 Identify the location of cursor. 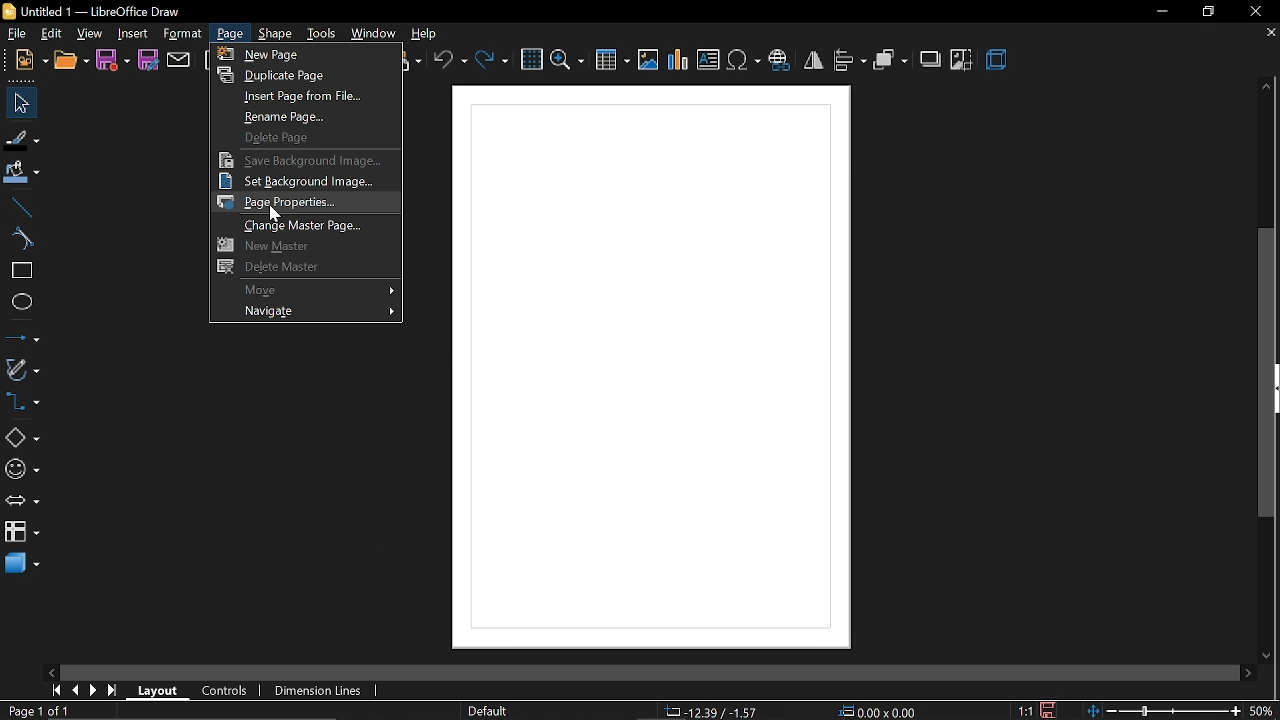
(277, 214).